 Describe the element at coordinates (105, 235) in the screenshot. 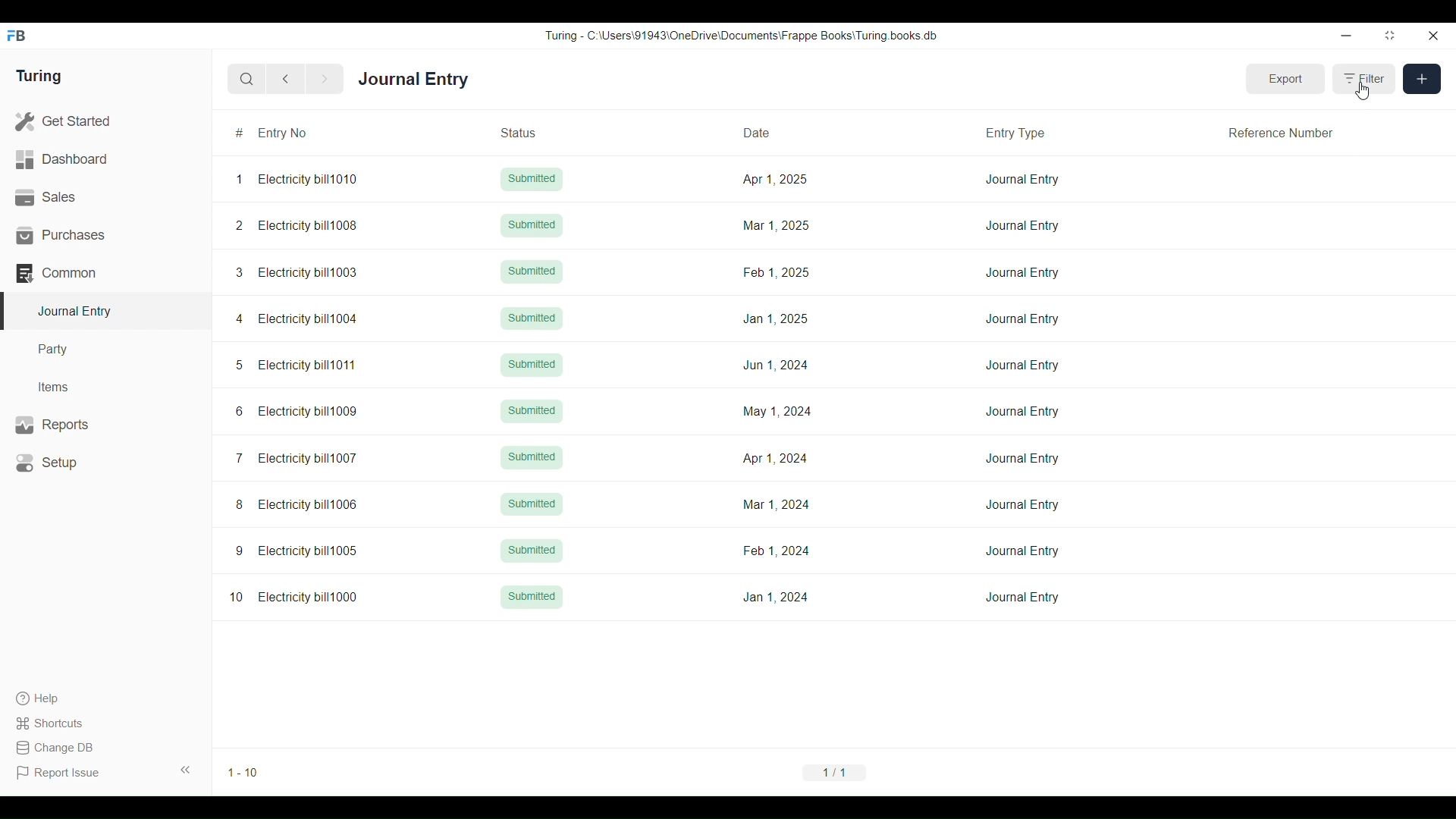

I see `Purchases` at that location.